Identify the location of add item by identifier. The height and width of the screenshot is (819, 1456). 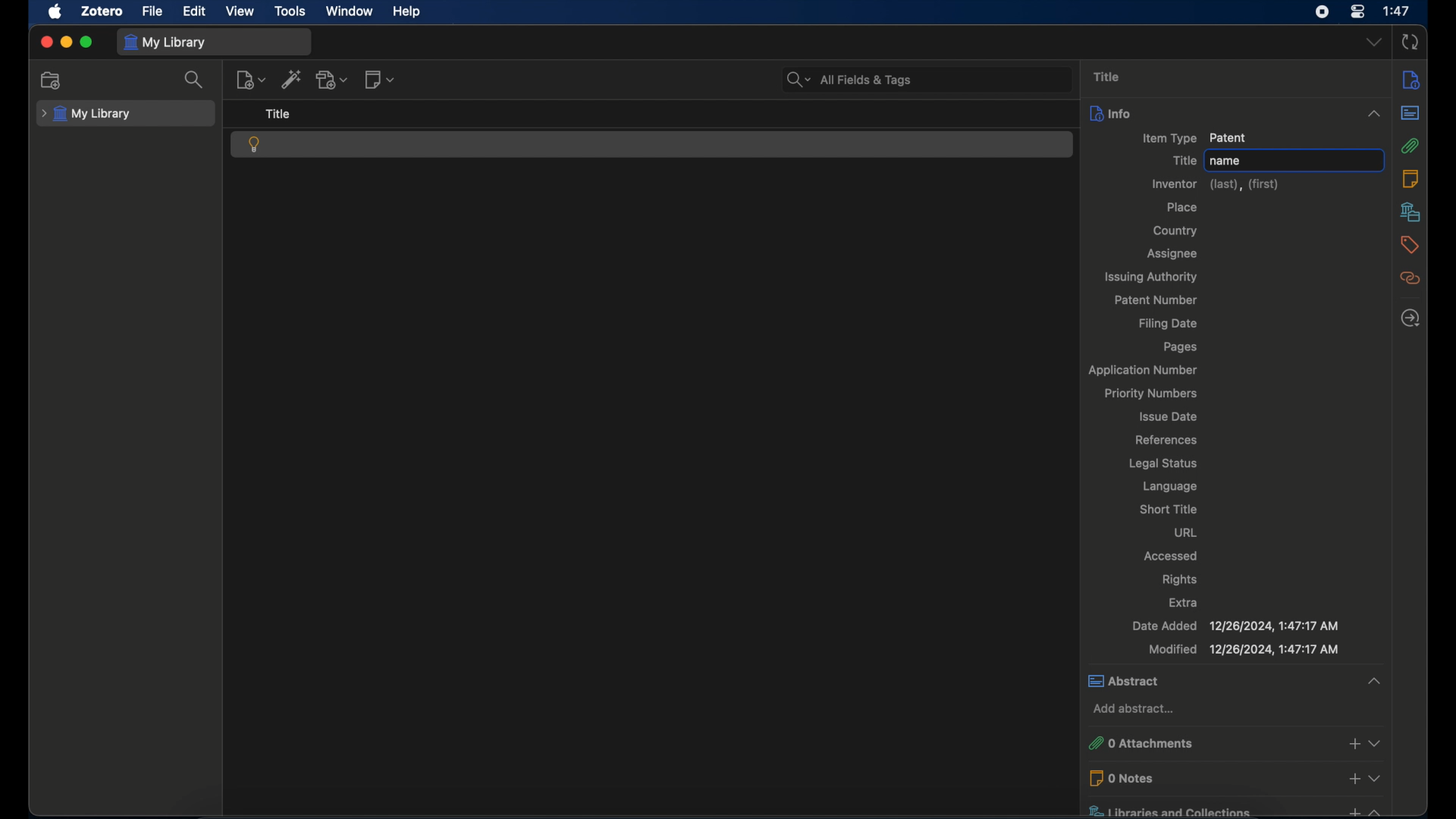
(291, 80).